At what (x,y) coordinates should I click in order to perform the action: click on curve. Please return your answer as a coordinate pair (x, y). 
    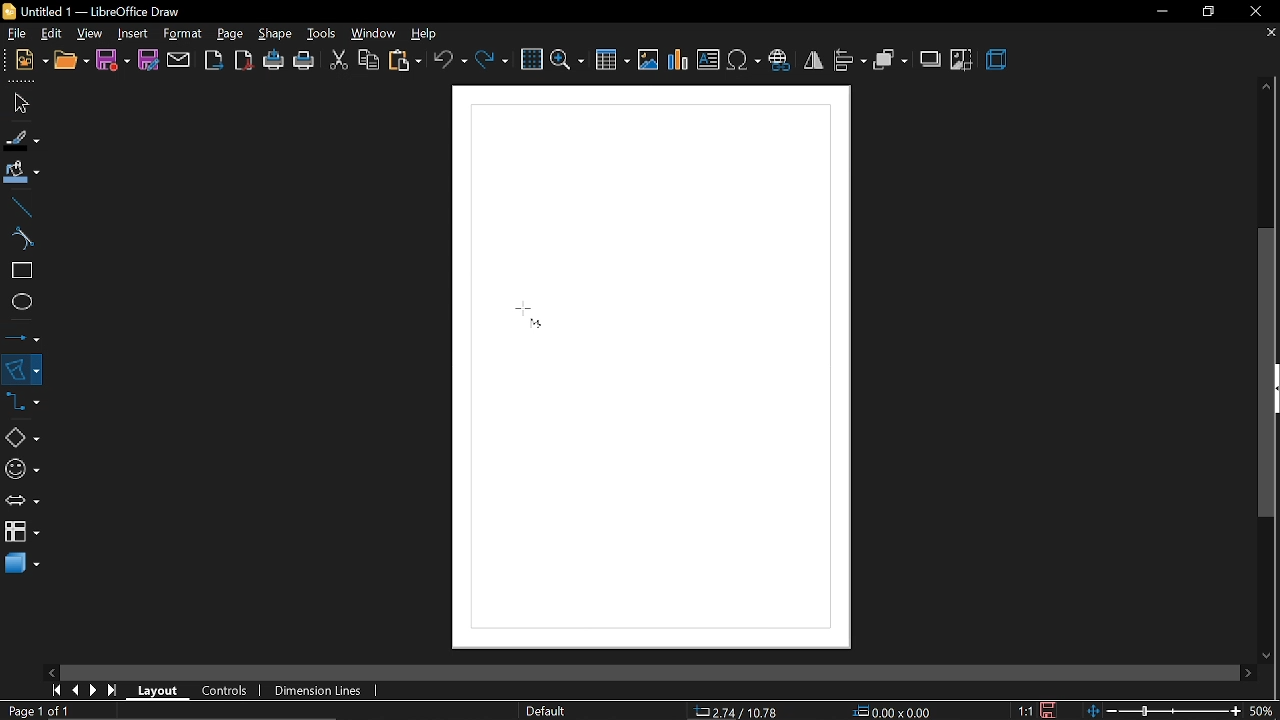
    Looking at the image, I should click on (18, 240).